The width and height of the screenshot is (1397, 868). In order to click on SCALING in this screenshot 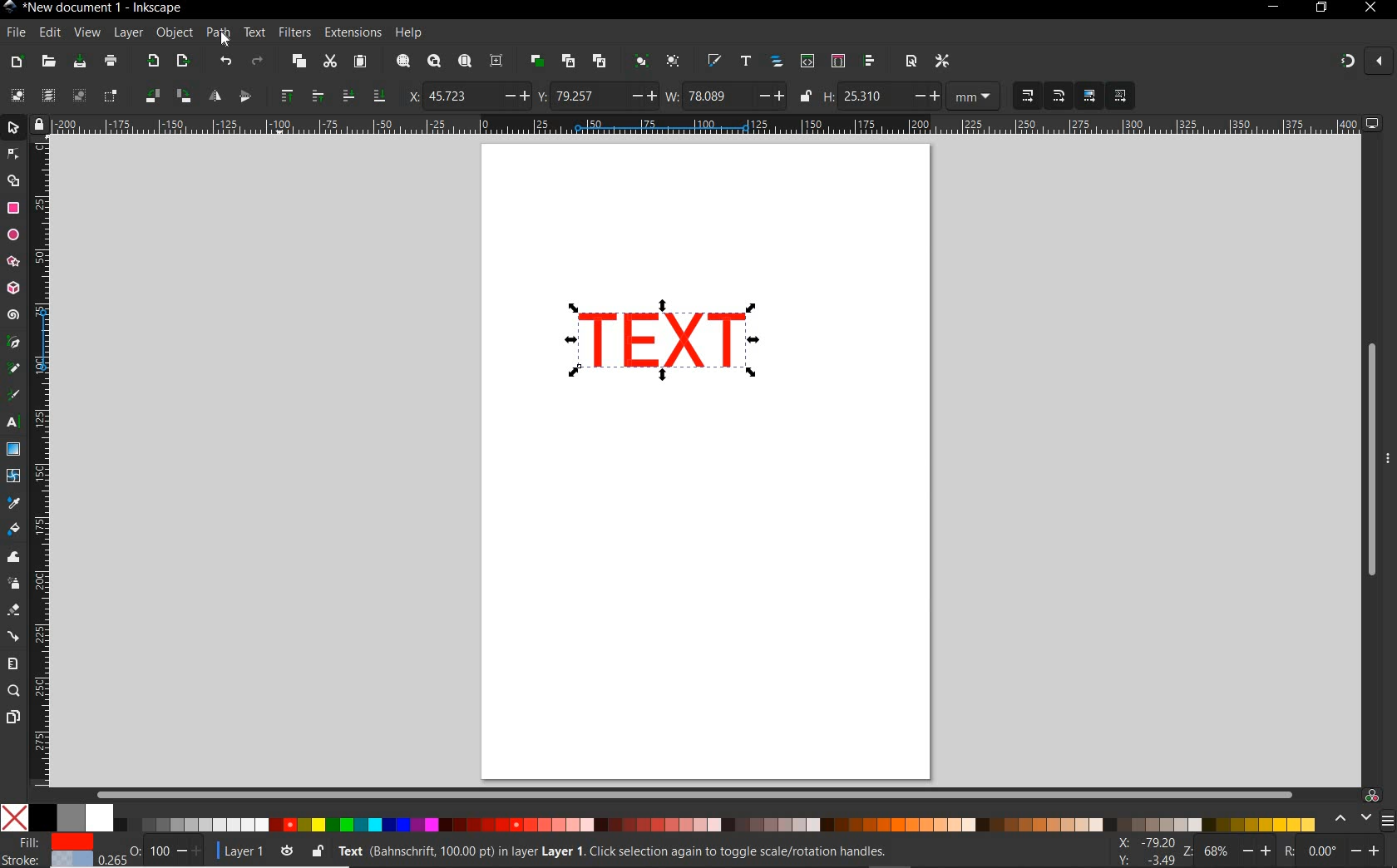, I will do `click(1044, 96)`.